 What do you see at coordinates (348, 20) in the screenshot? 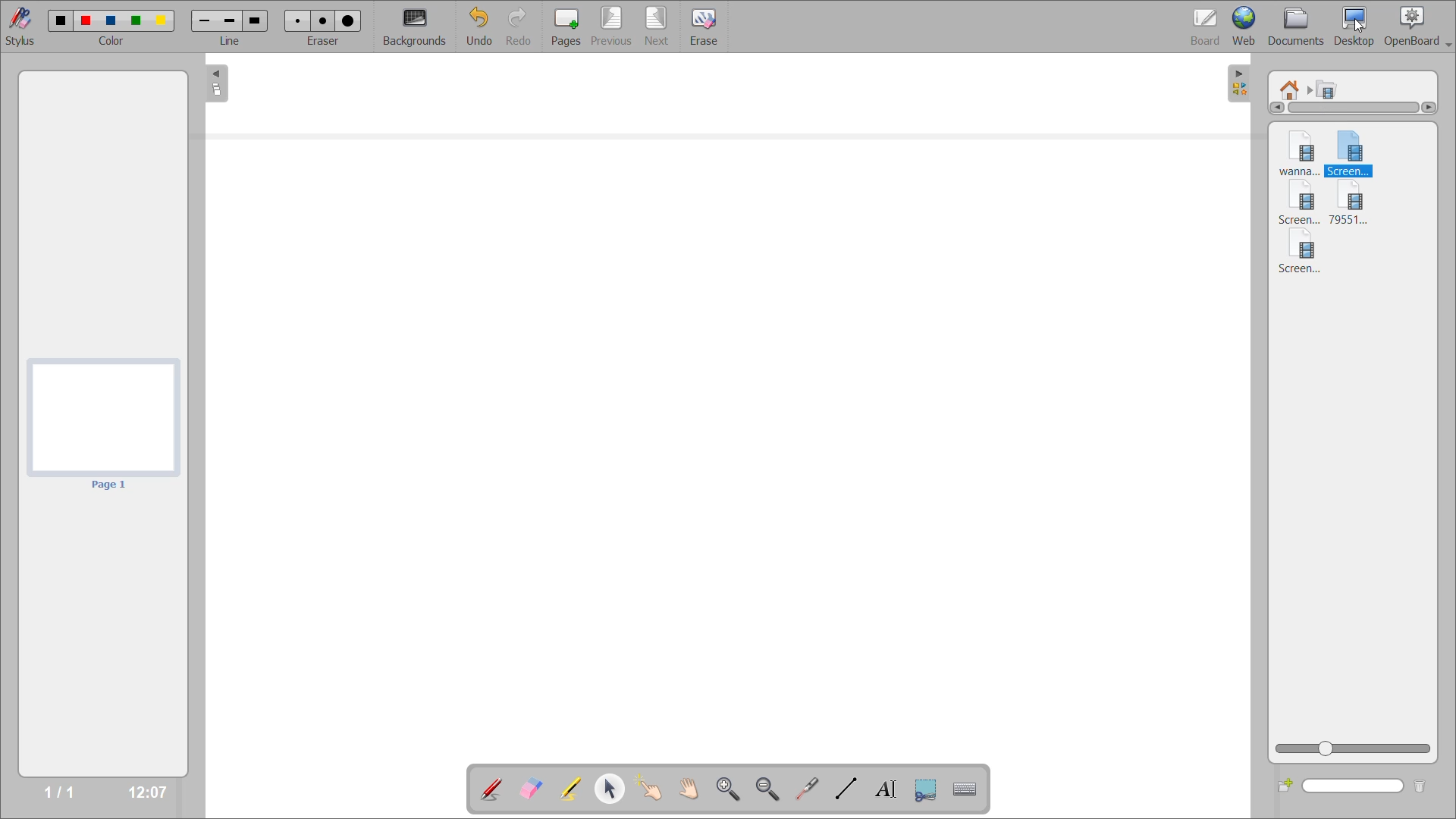
I see `Large eraser` at bounding box center [348, 20].